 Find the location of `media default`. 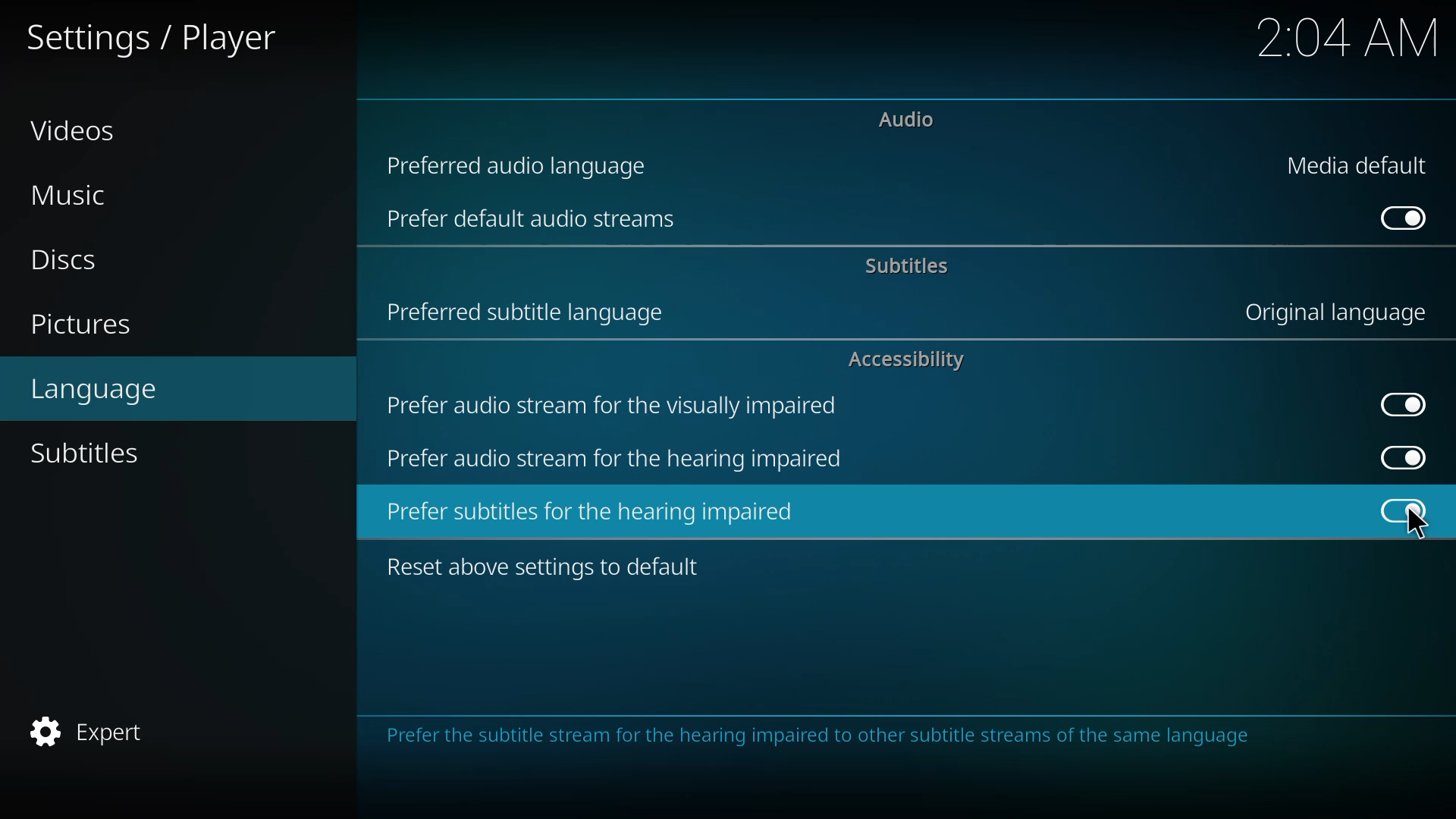

media default is located at coordinates (1357, 163).